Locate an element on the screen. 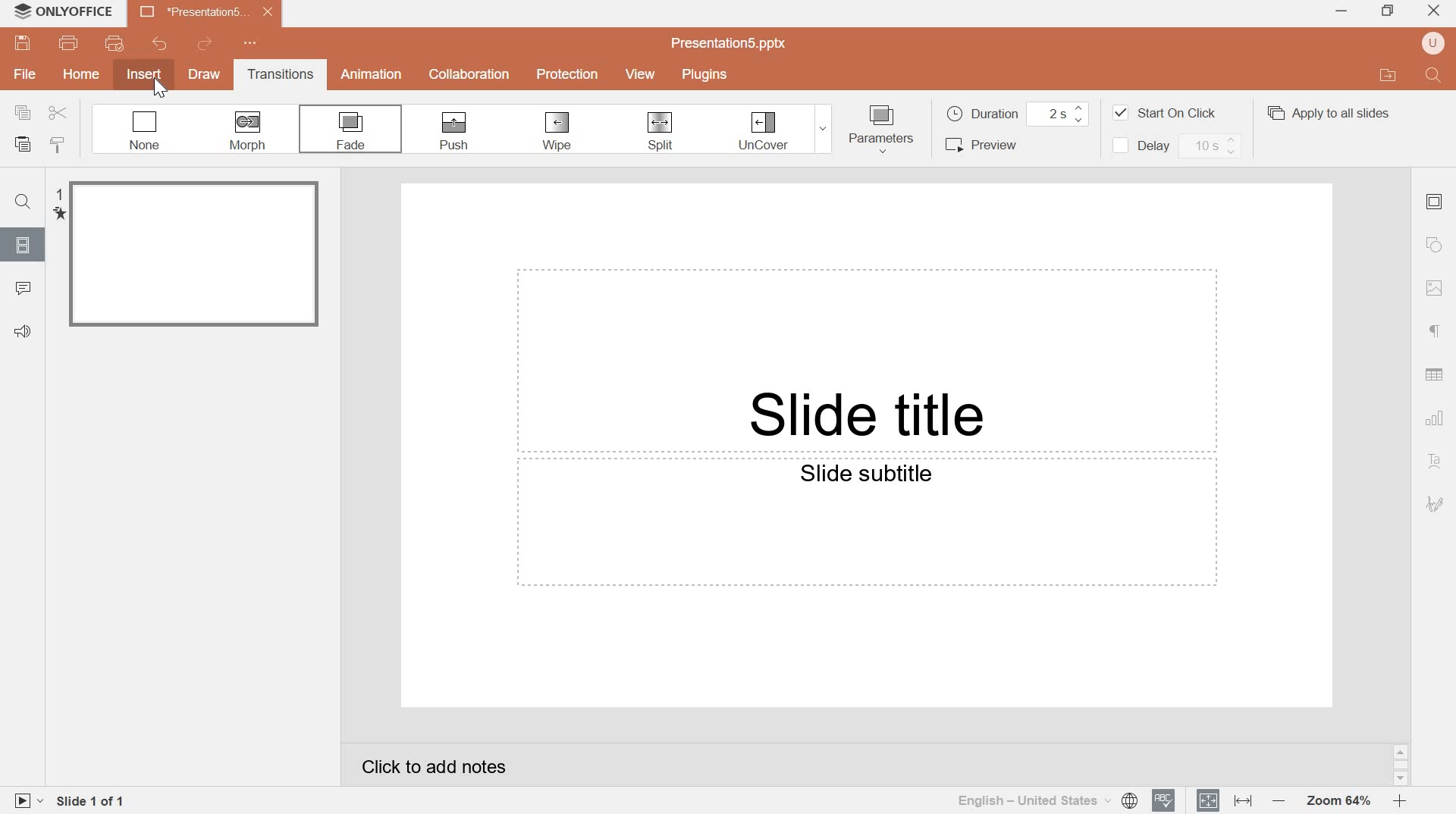 The image size is (1456, 814). Image is located at coordinates (1436, 288).